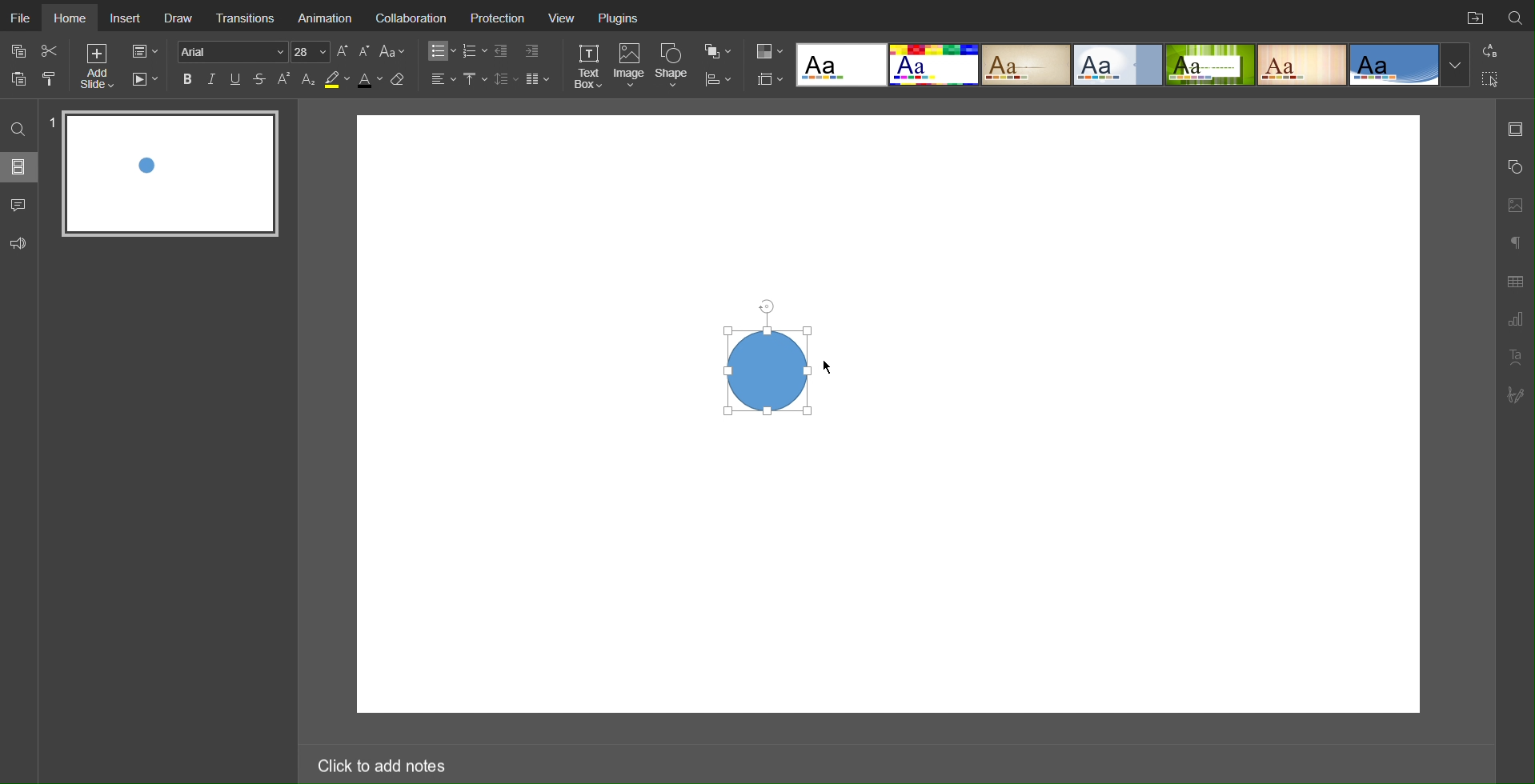  Describe the element at coordinates (475, 79) in the screenshot. I see `Vertical Alignment` at that location.